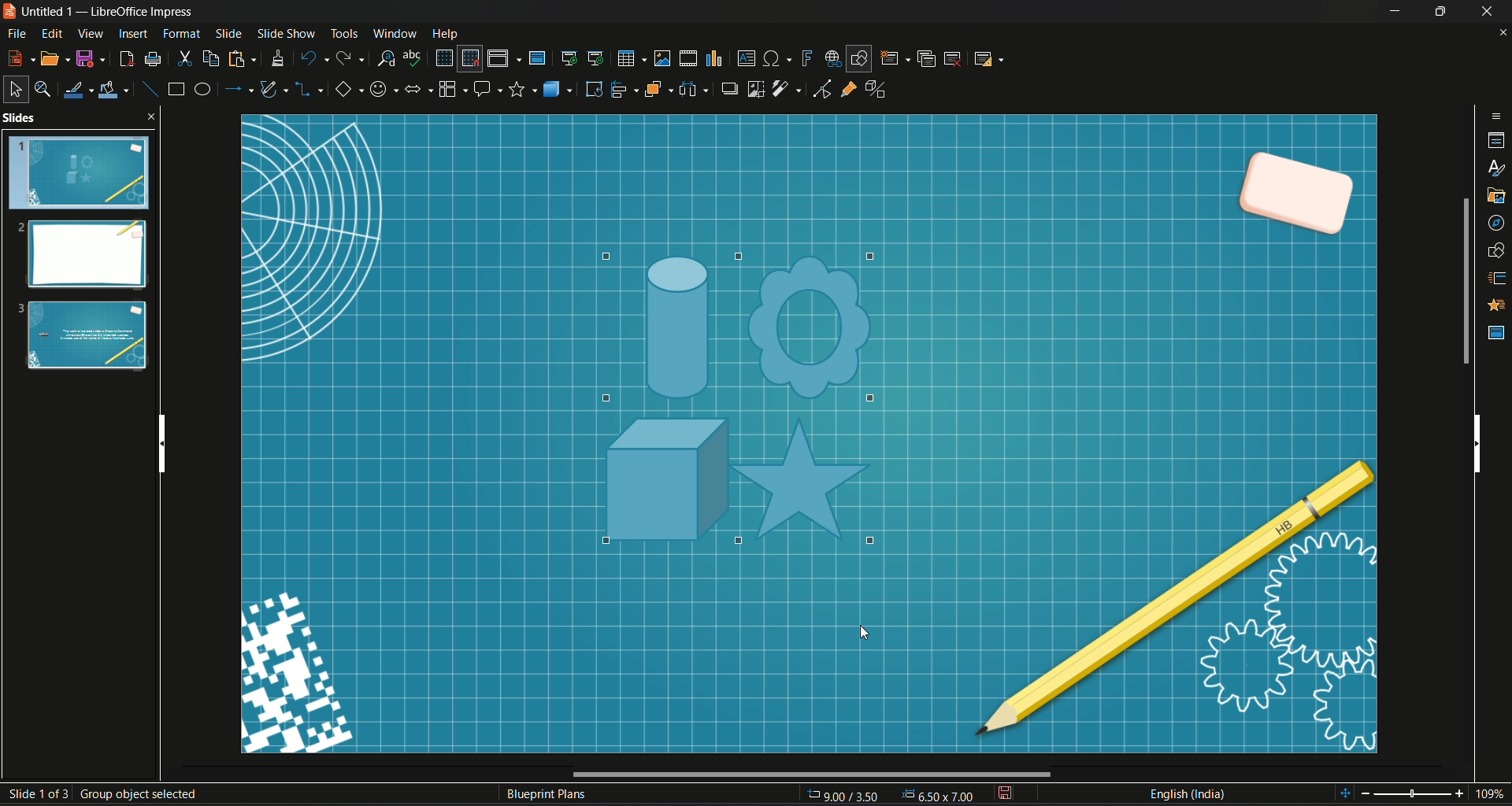 Image resolution: width=1512 pixels, height=806 pixels. I want to click on Scroll bar, so click(1464, 281).